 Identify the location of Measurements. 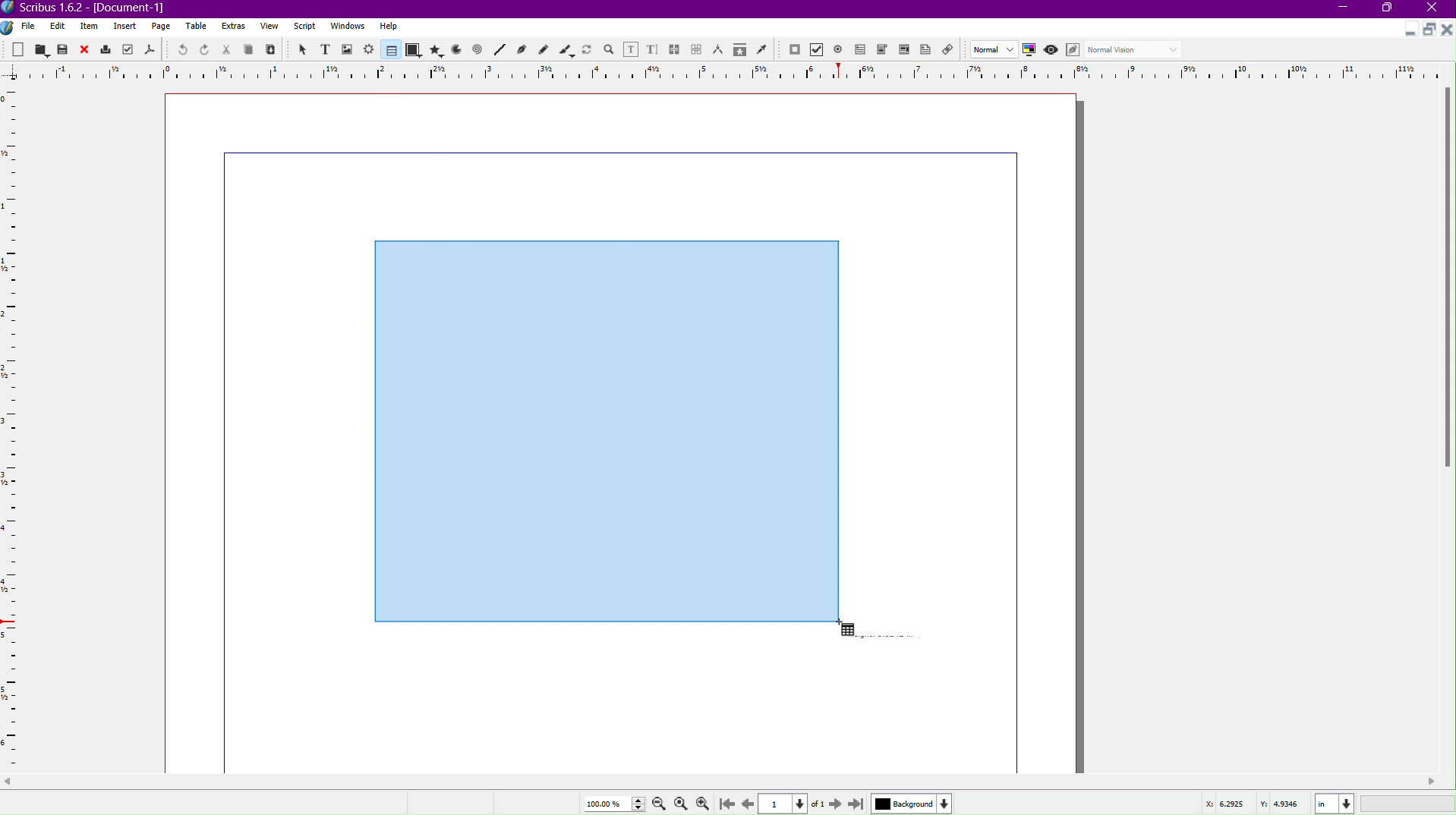
(720, 49).